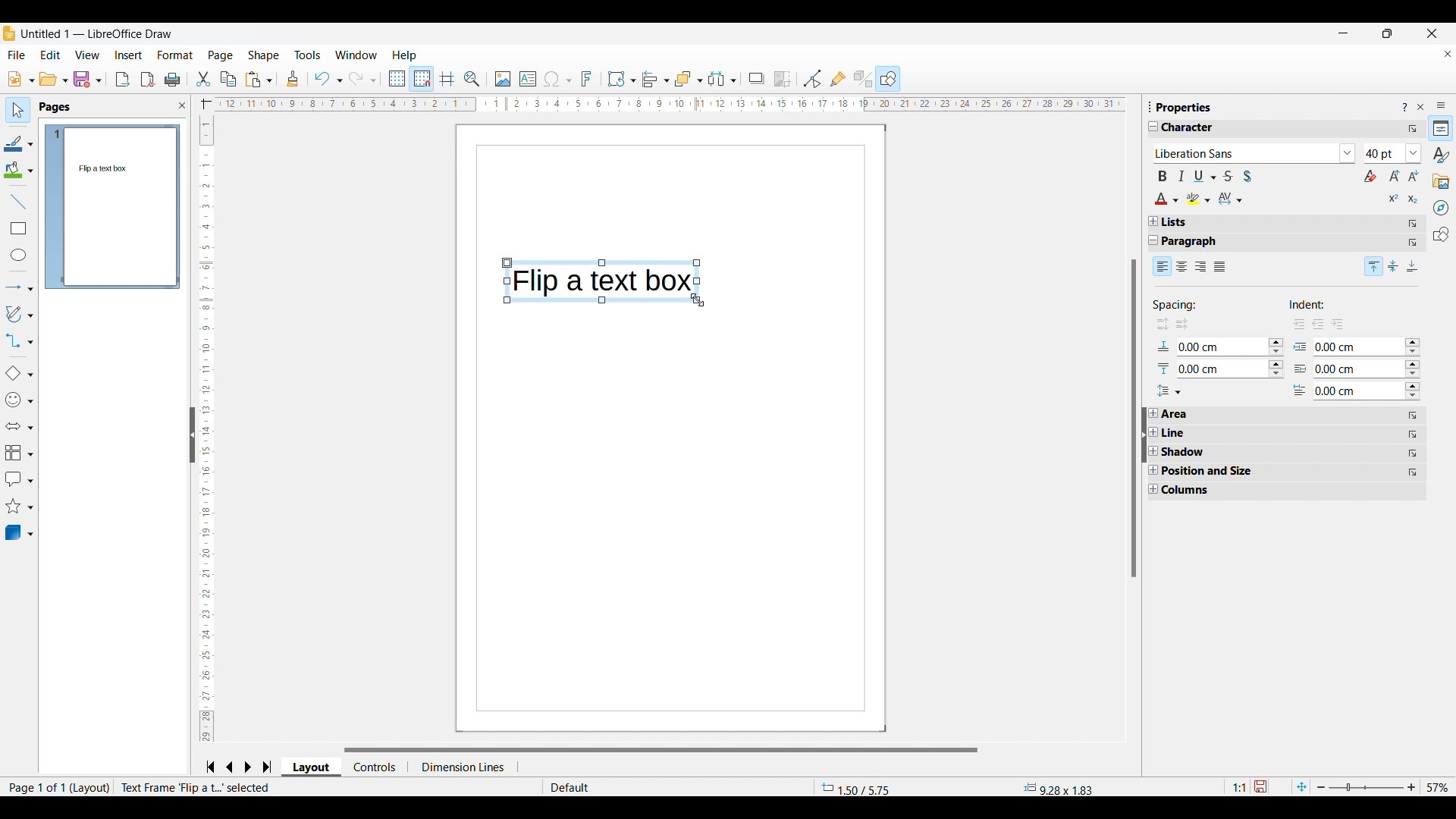  I want to click on Redo, so click(363, 79).